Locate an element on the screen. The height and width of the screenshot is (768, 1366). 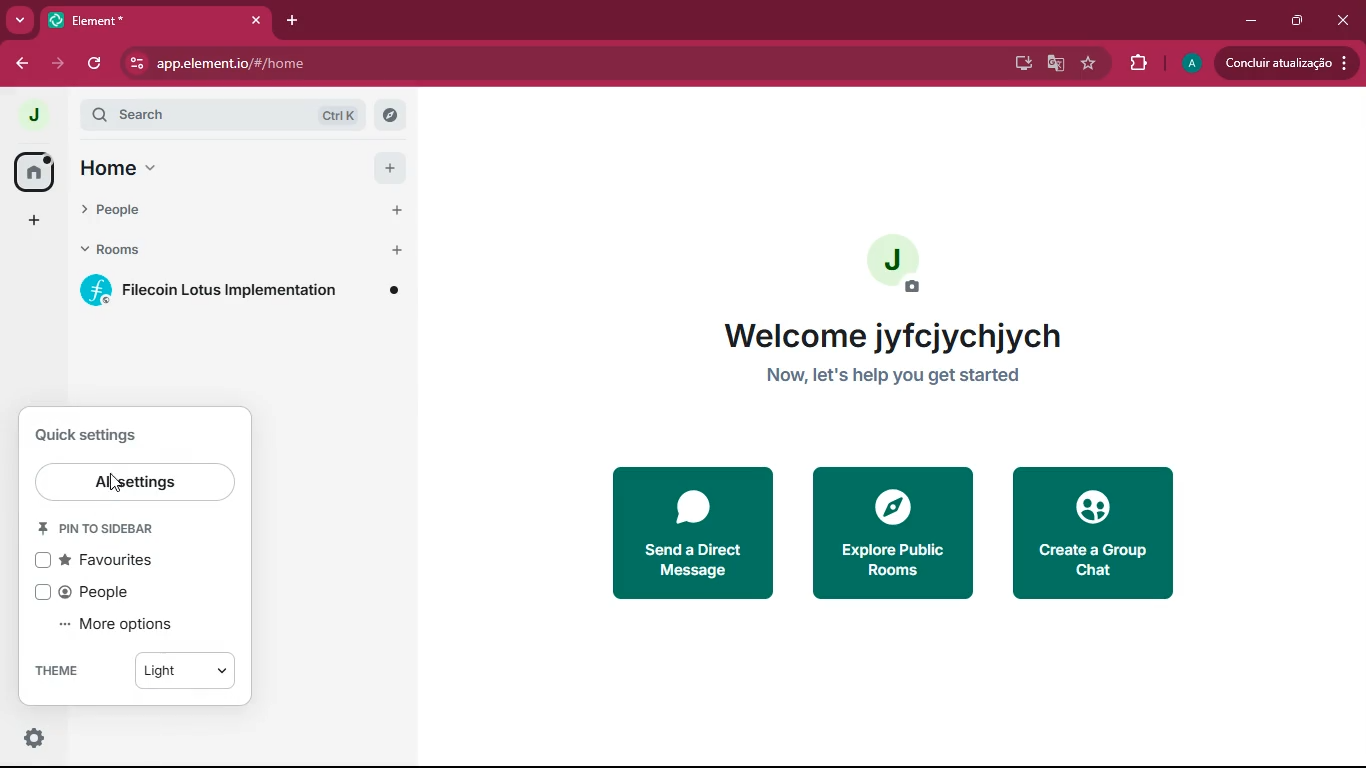
filecoin lotus implementation is located at coordinates (244, 295).